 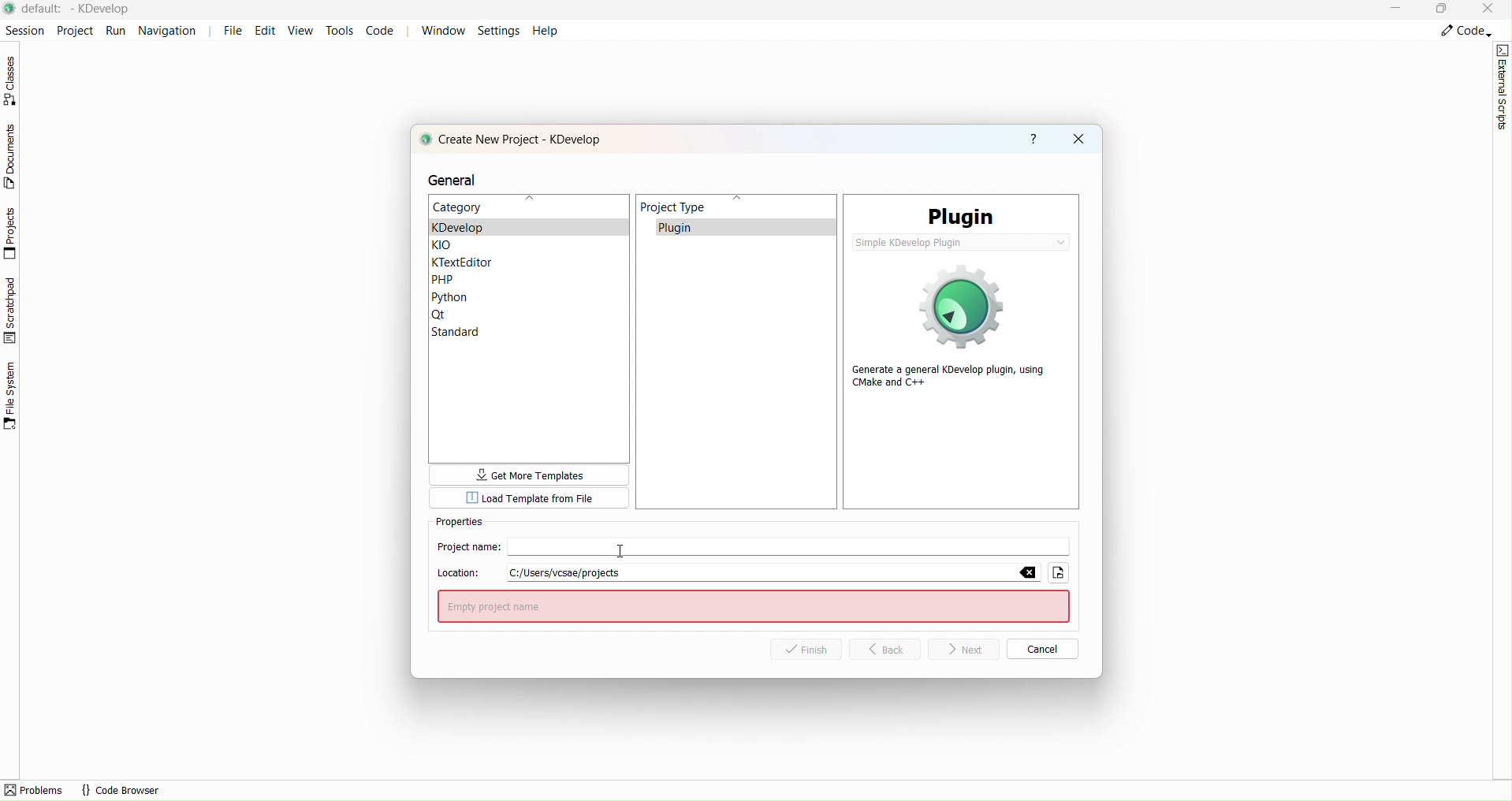 I want to click on more templates, so click(x=529, y=475).